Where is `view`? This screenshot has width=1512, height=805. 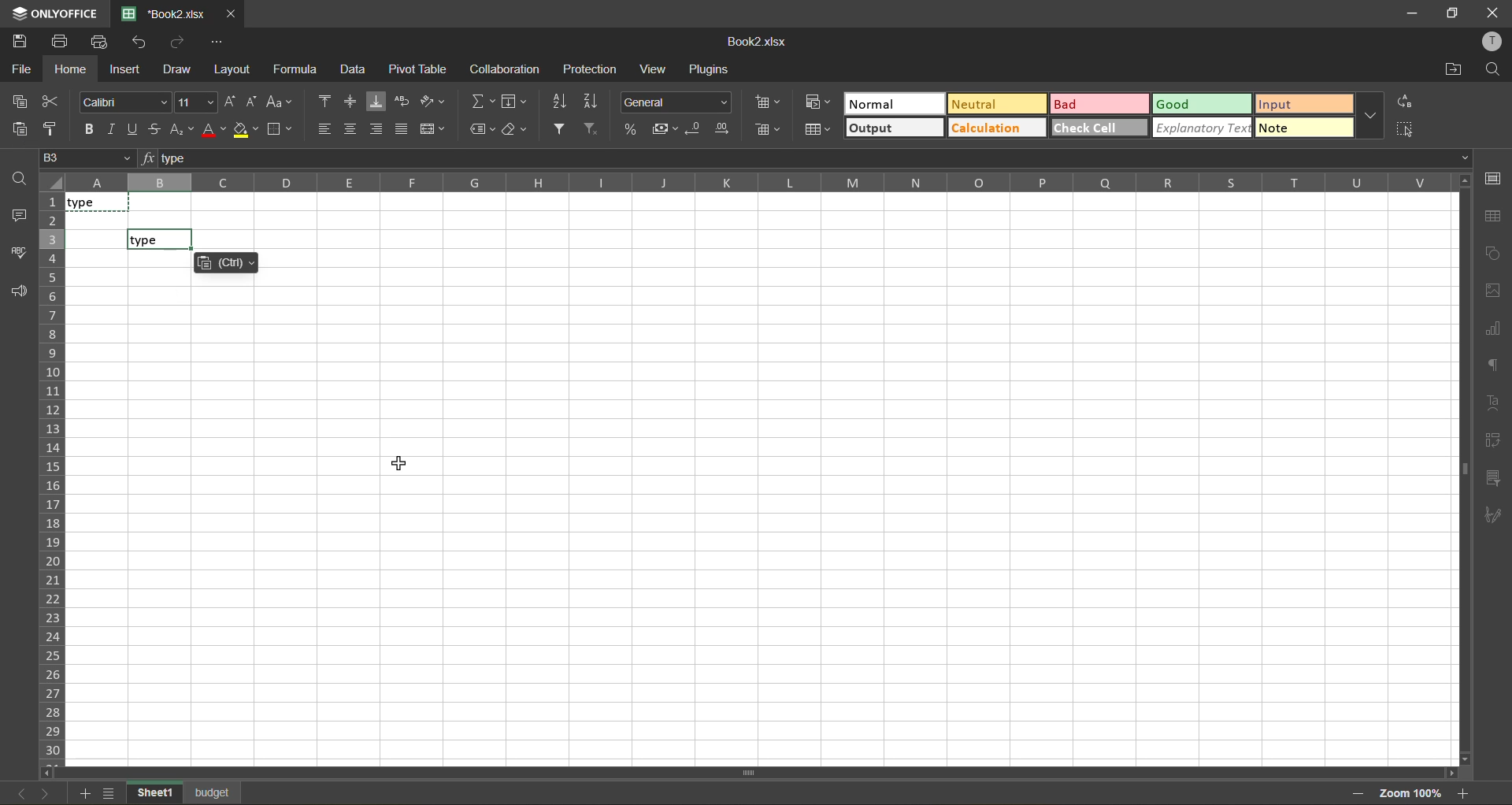 view is located at coordinates (652, 69).